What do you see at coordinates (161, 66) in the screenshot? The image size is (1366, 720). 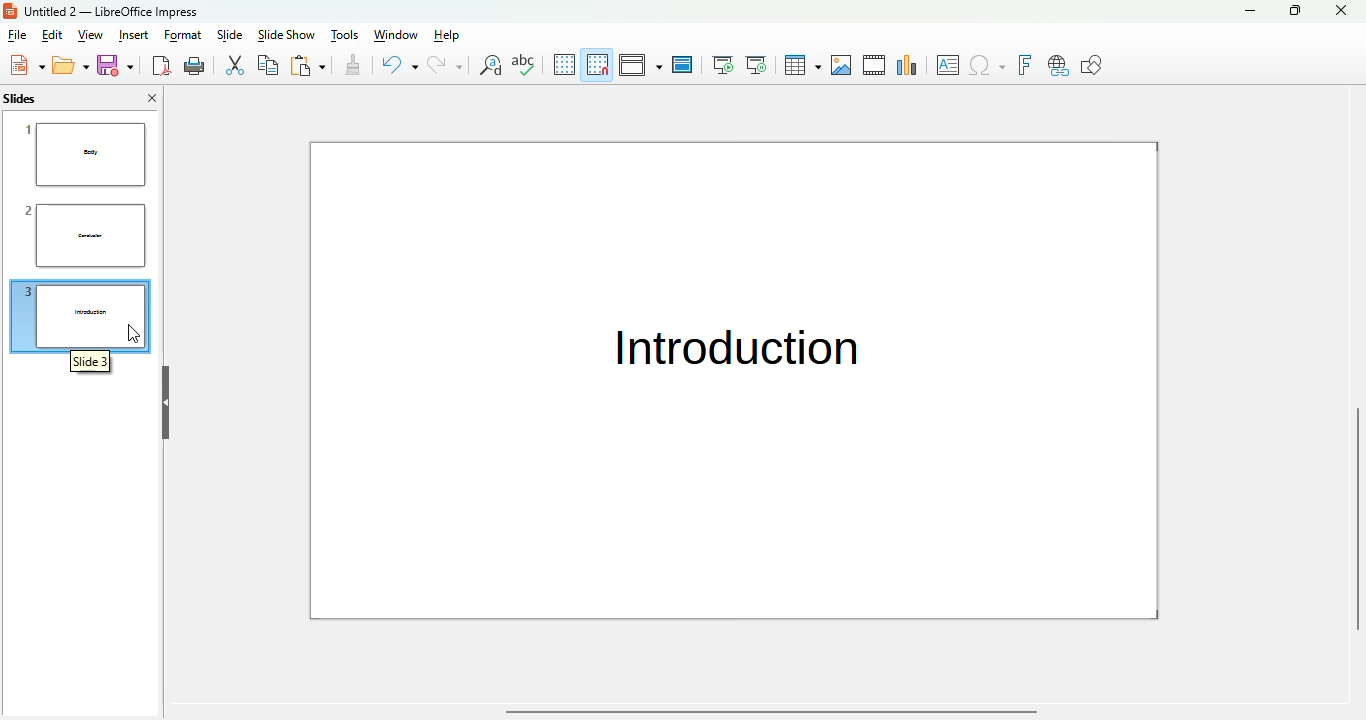 I see `export directly as PDF` at bounding box center [161, 66].